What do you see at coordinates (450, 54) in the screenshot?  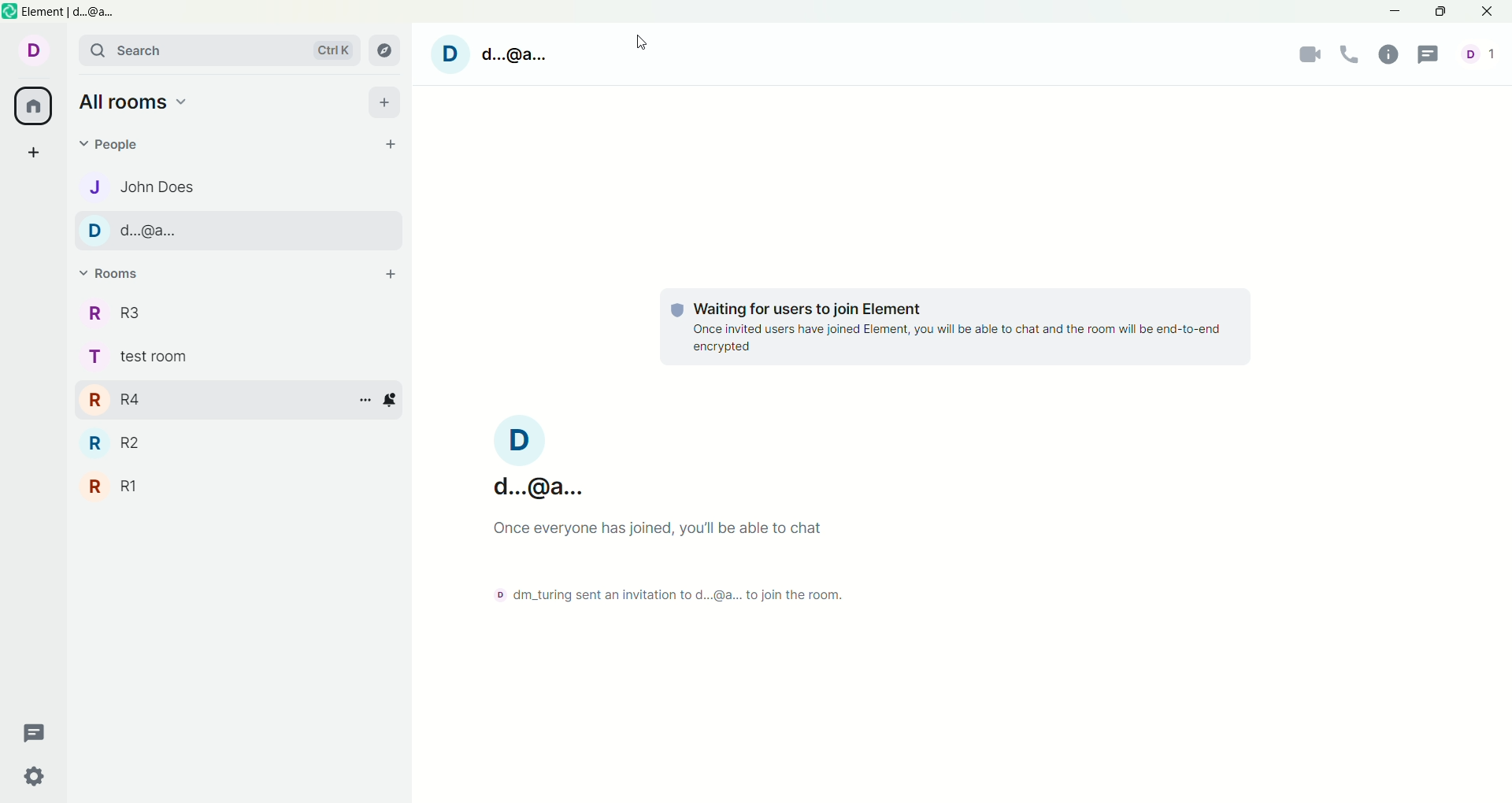 I see `Current account image` at bounding box center [450, 54].